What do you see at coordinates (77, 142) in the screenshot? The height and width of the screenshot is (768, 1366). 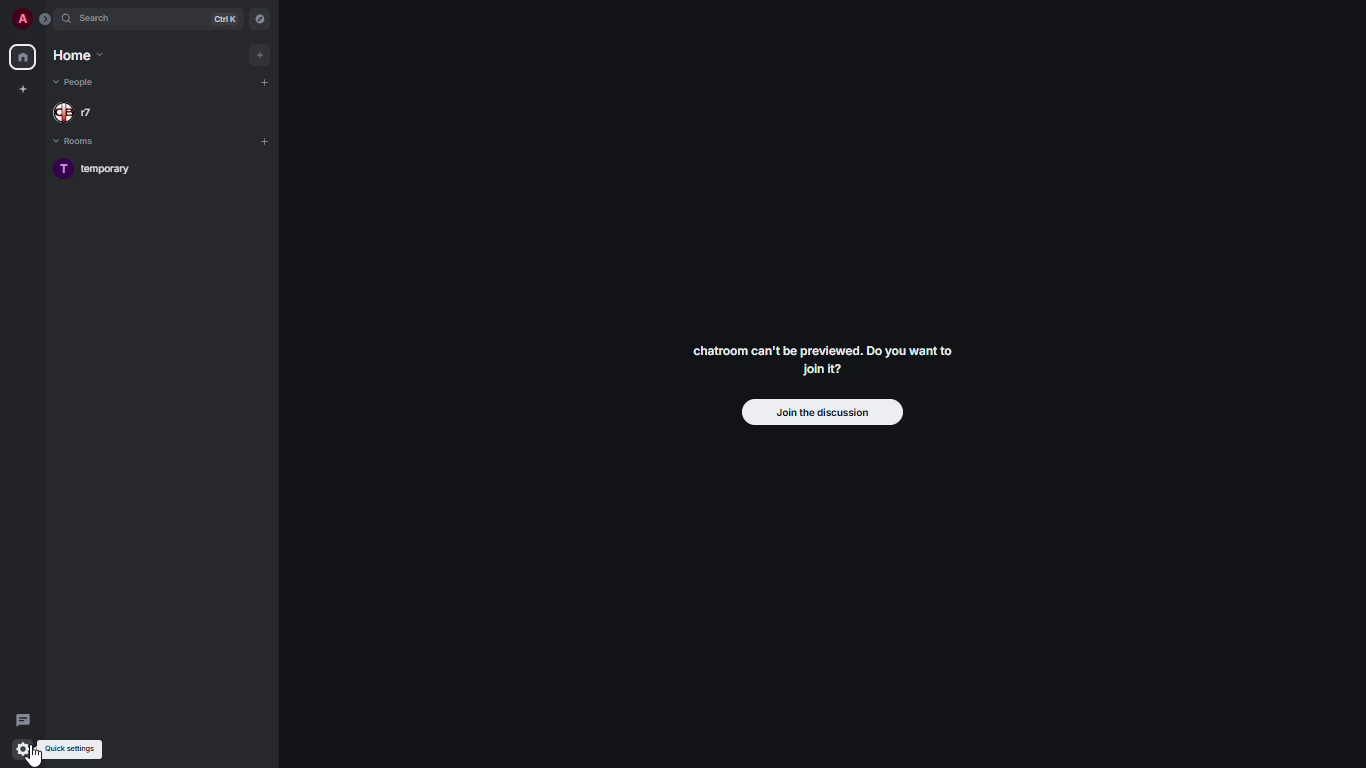 I see `rooms` at bounding box center [77, 142].